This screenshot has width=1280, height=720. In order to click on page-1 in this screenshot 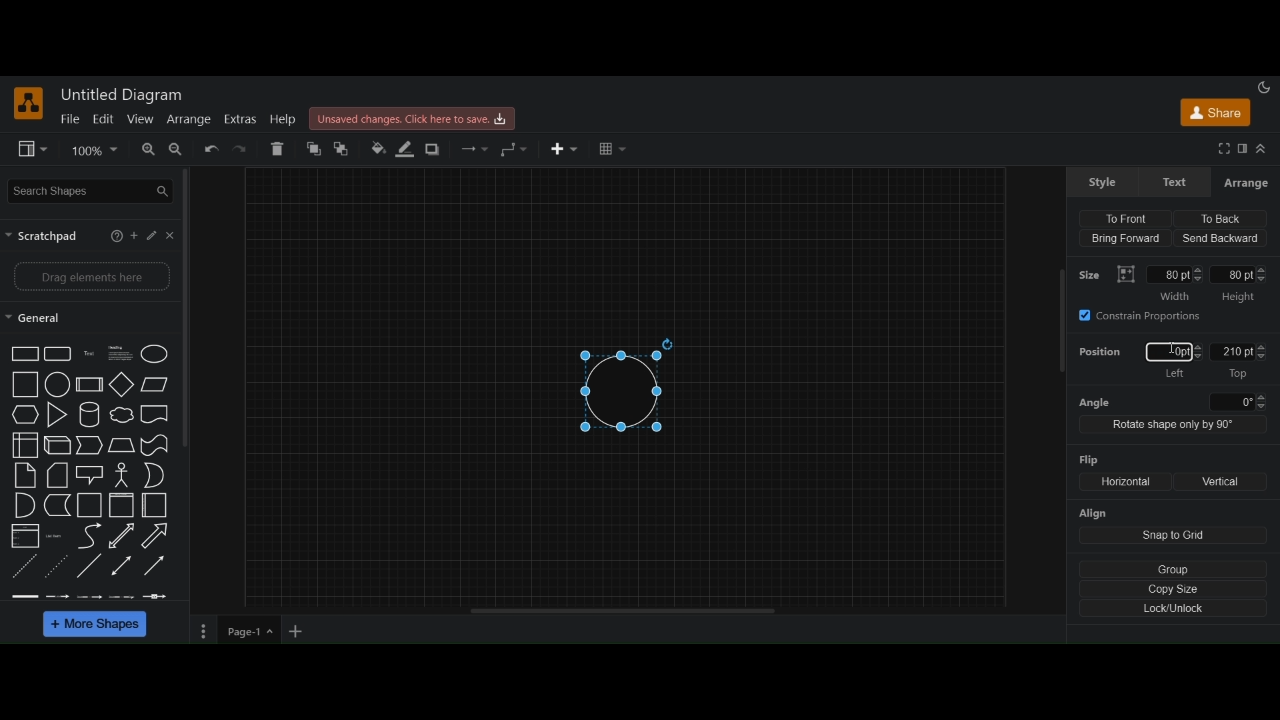, I will do `click(251, 631)`.